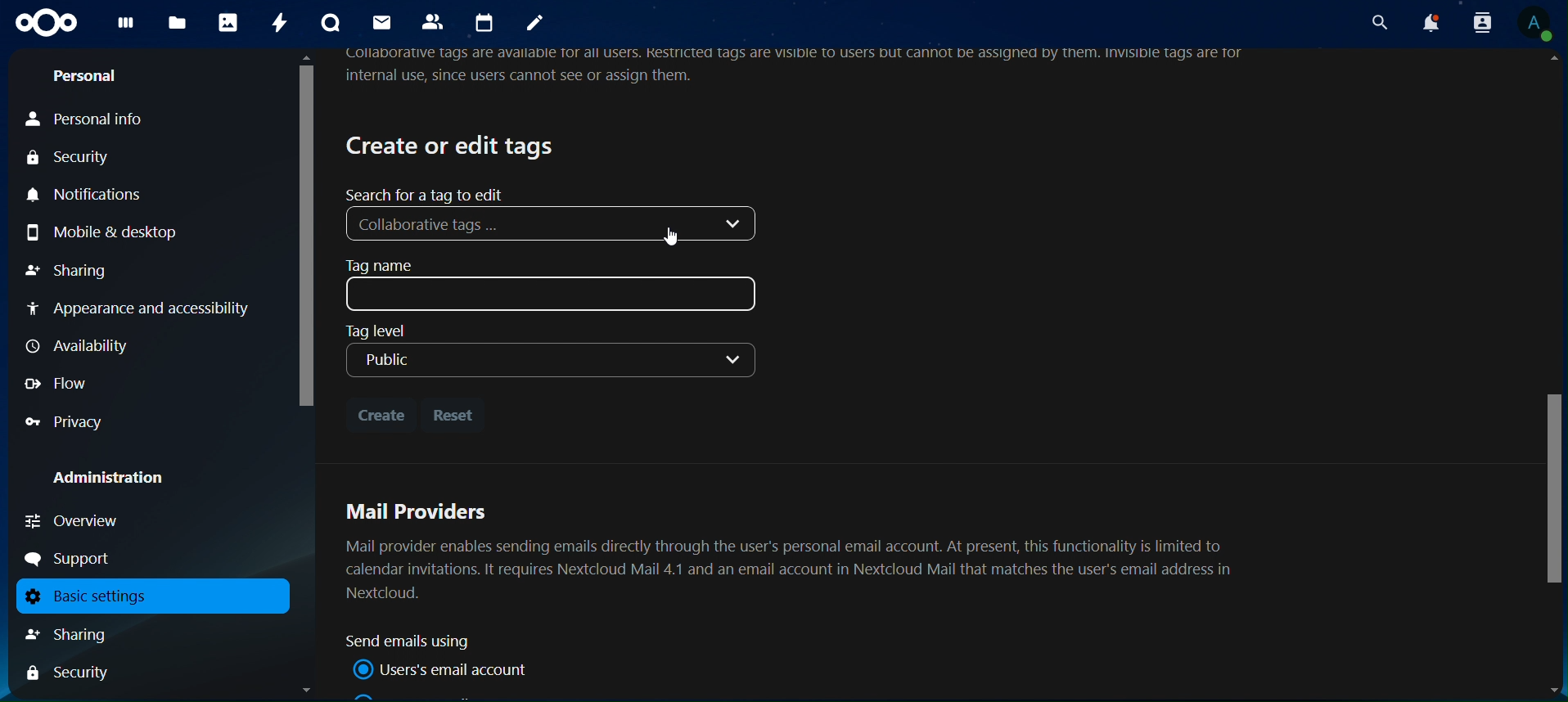 The width and height of the screenshot is (1568, 702). I want to click on mobile & desktop, so click(125, 231).